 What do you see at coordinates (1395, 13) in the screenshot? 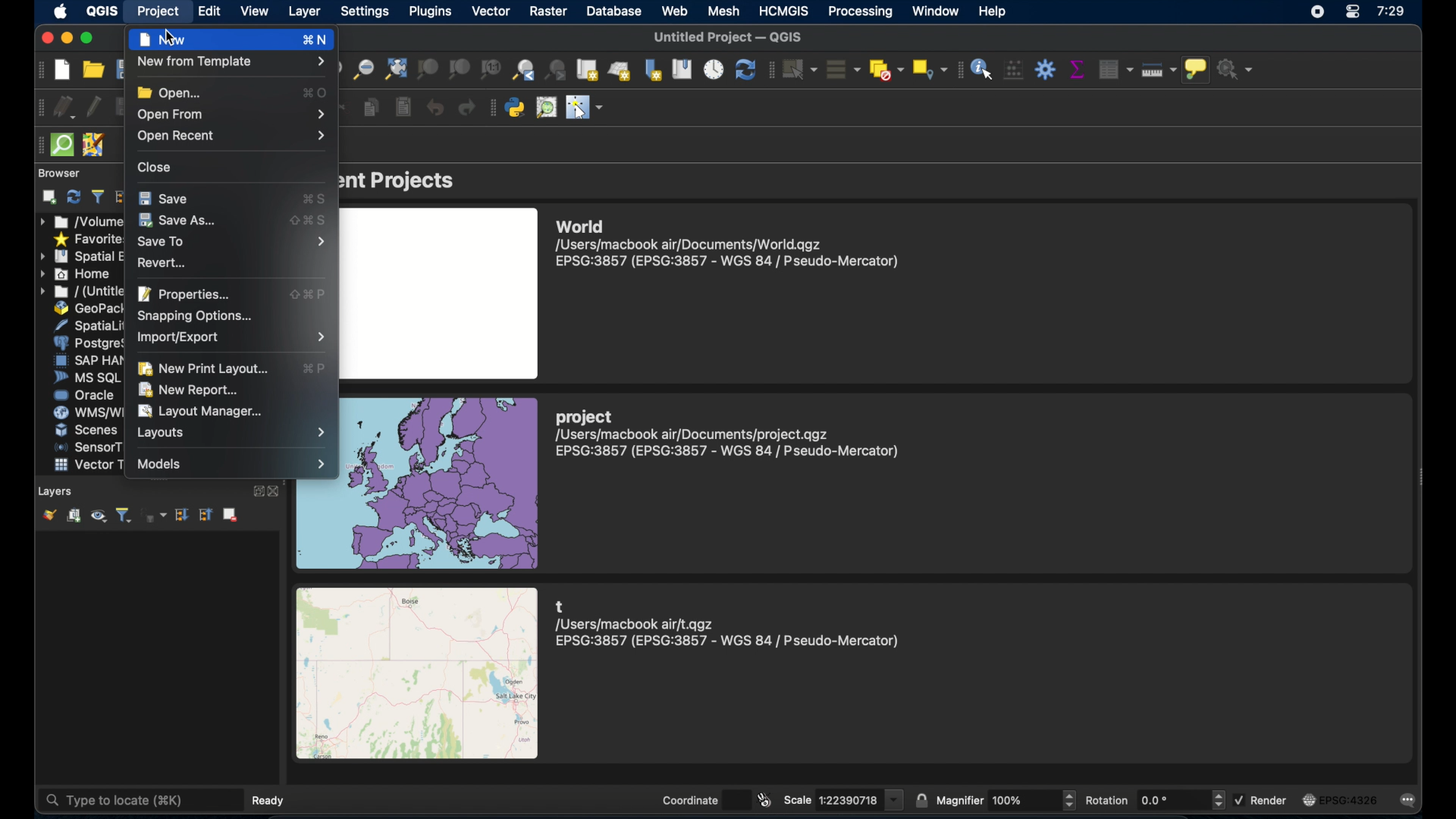
I see `7:29` at bounding box center [1395, 13].